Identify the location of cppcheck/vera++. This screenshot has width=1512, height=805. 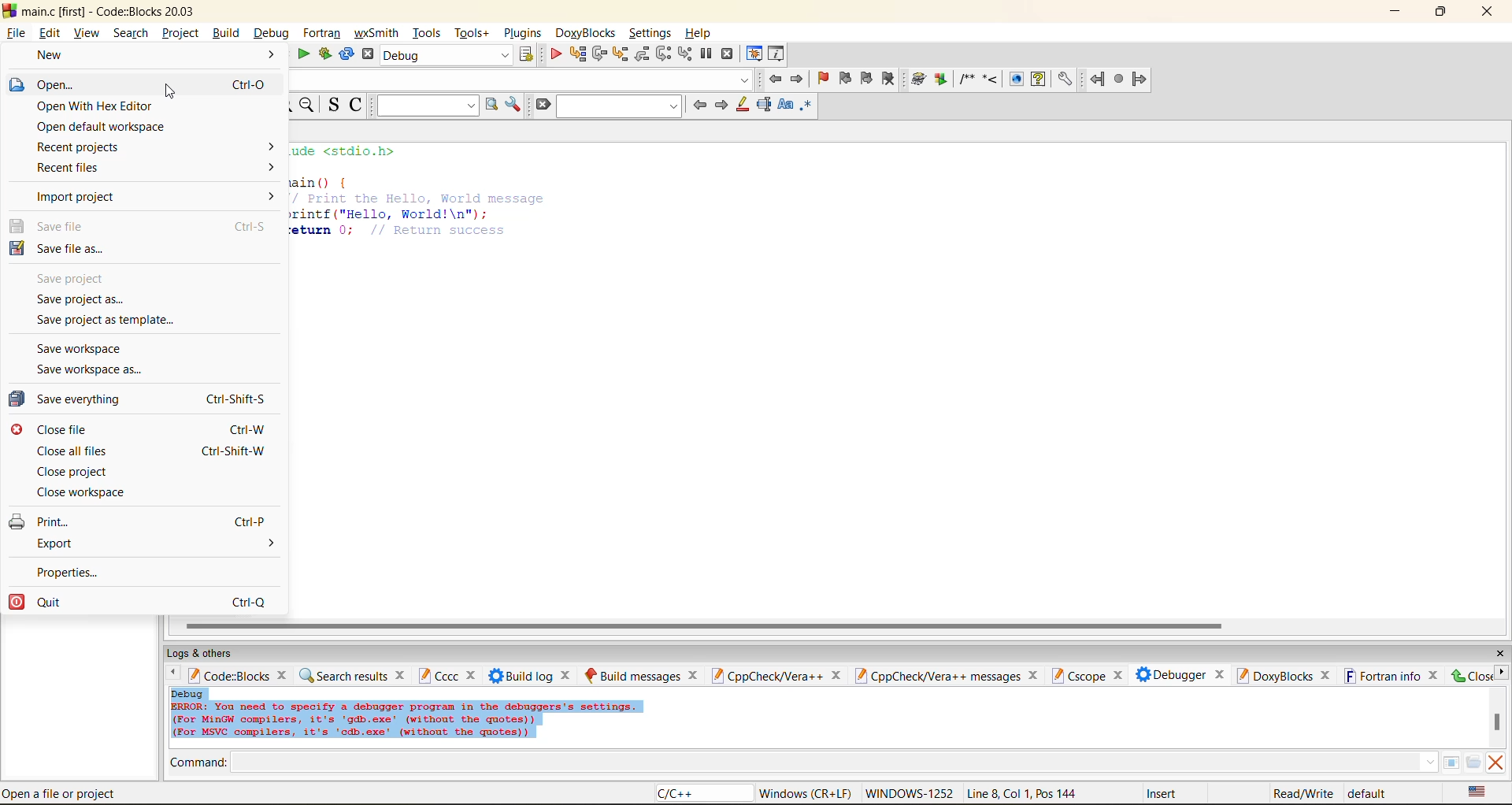
(765, 677).